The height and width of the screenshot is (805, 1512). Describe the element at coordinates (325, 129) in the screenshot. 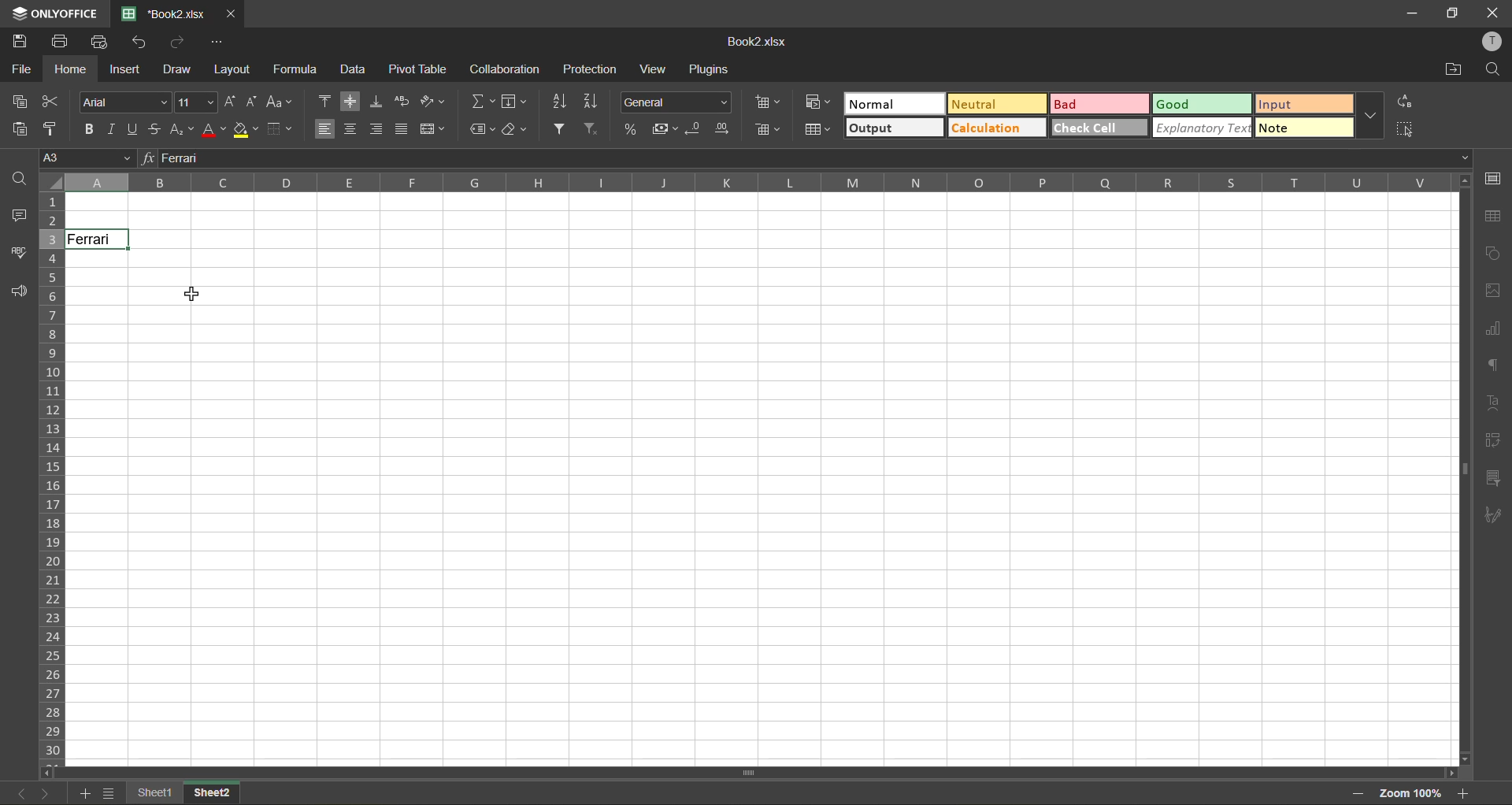

I see `align left` at that location.